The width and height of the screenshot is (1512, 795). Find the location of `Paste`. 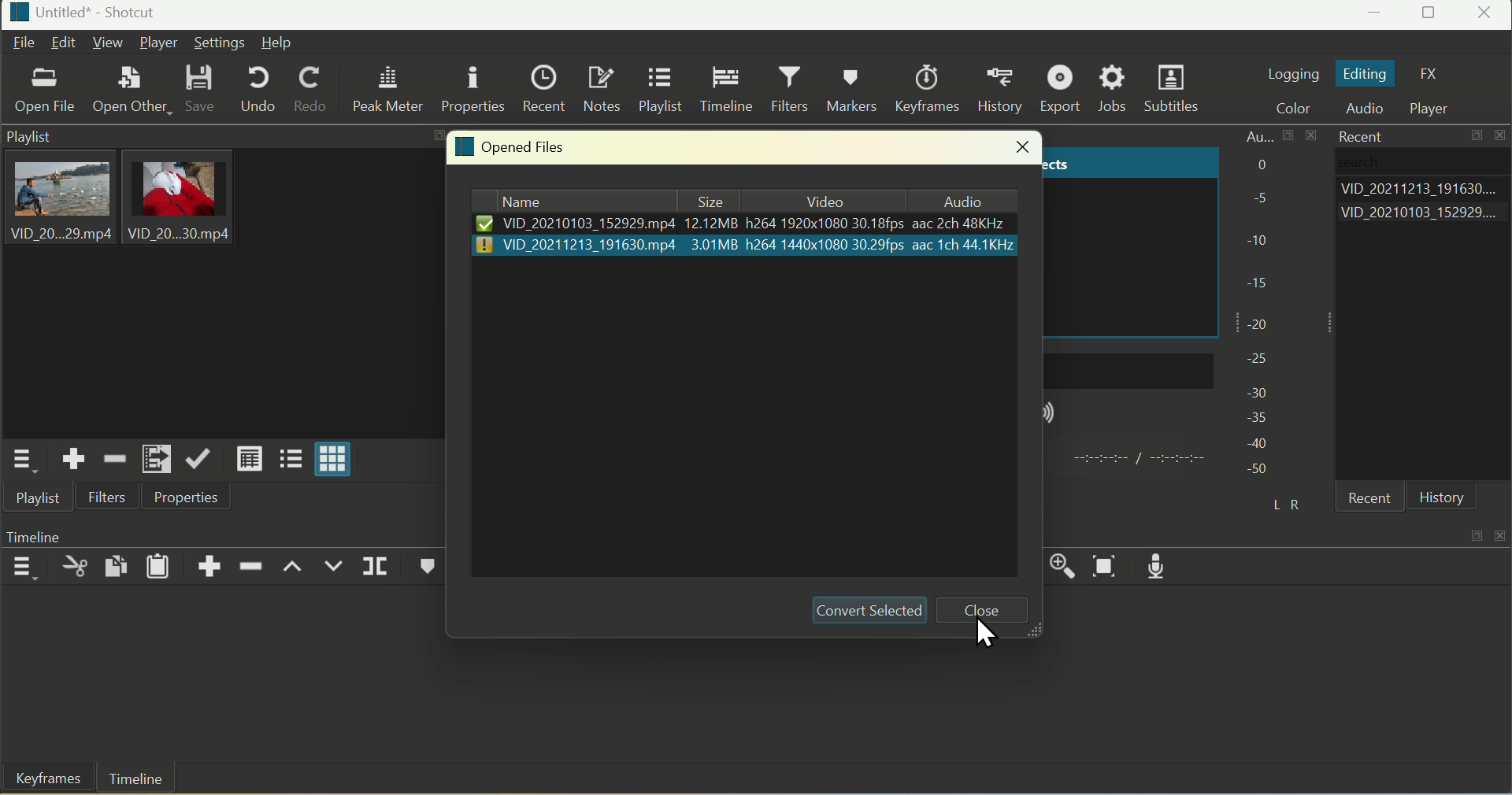

Paste is located at coordinates (159, 565).